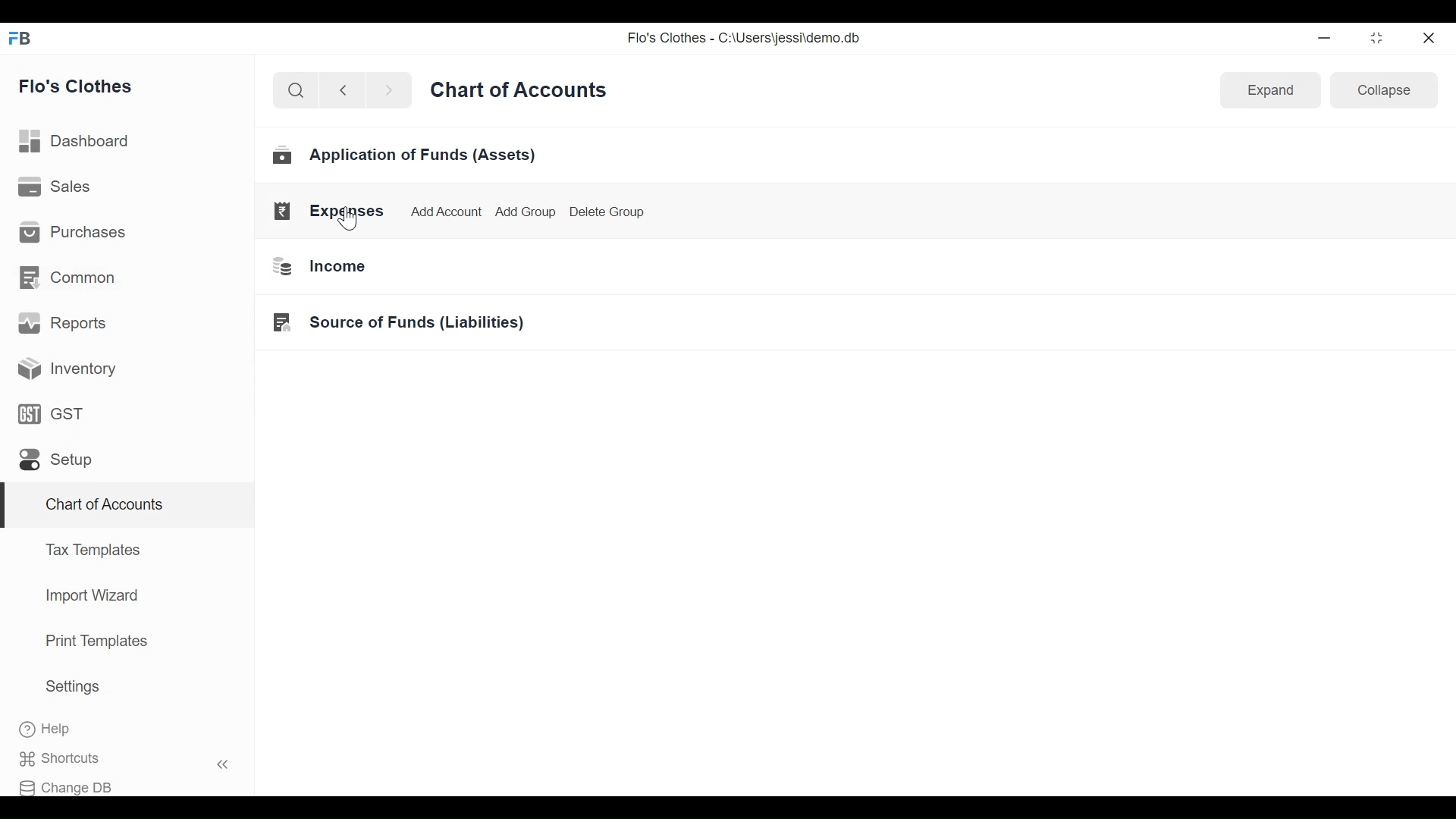 This screenshot has width=1456, height=819. I want to click on Import Wizard, so click(87, 598).